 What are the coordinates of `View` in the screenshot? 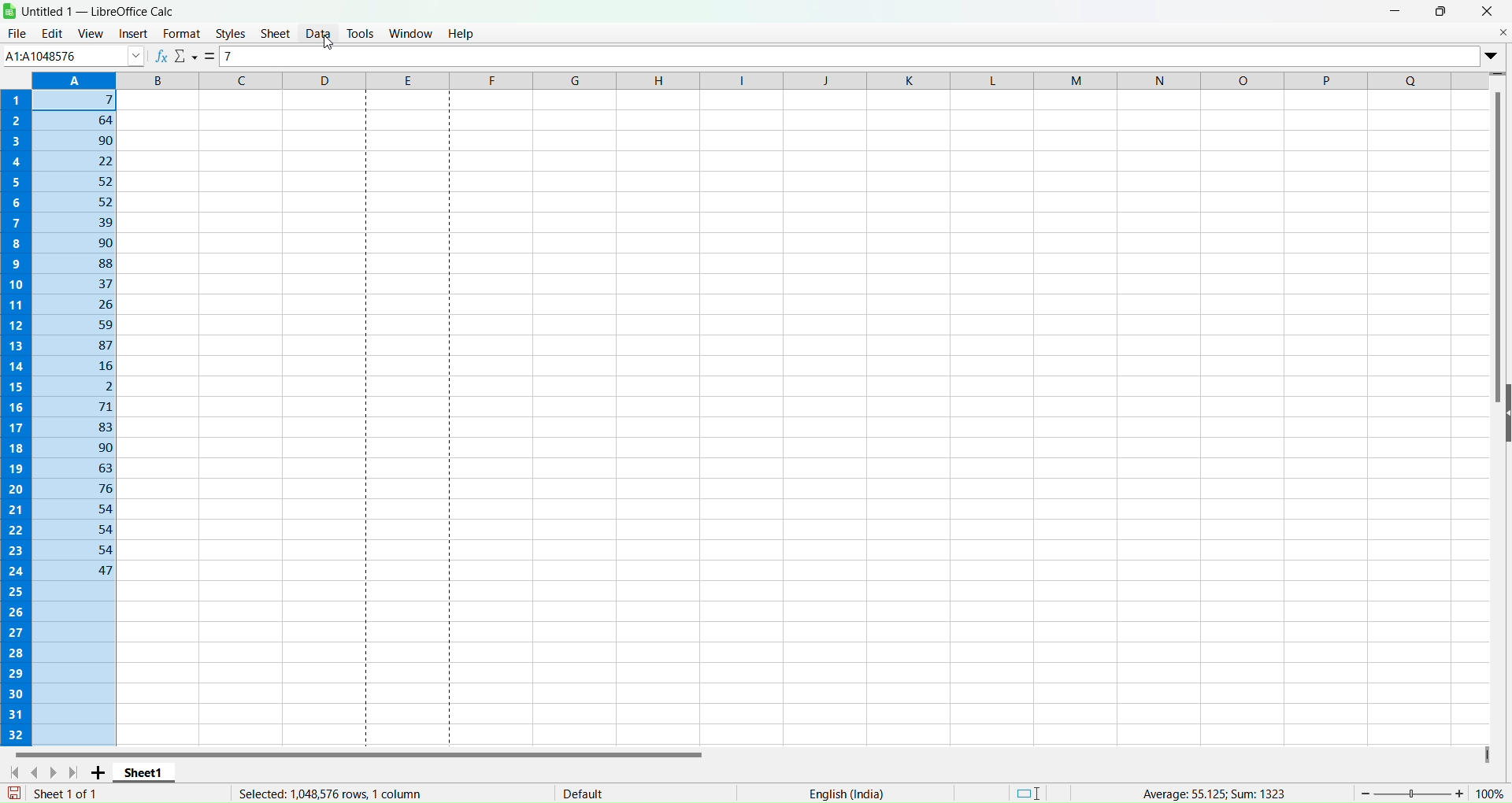 It's located at (91, 31).